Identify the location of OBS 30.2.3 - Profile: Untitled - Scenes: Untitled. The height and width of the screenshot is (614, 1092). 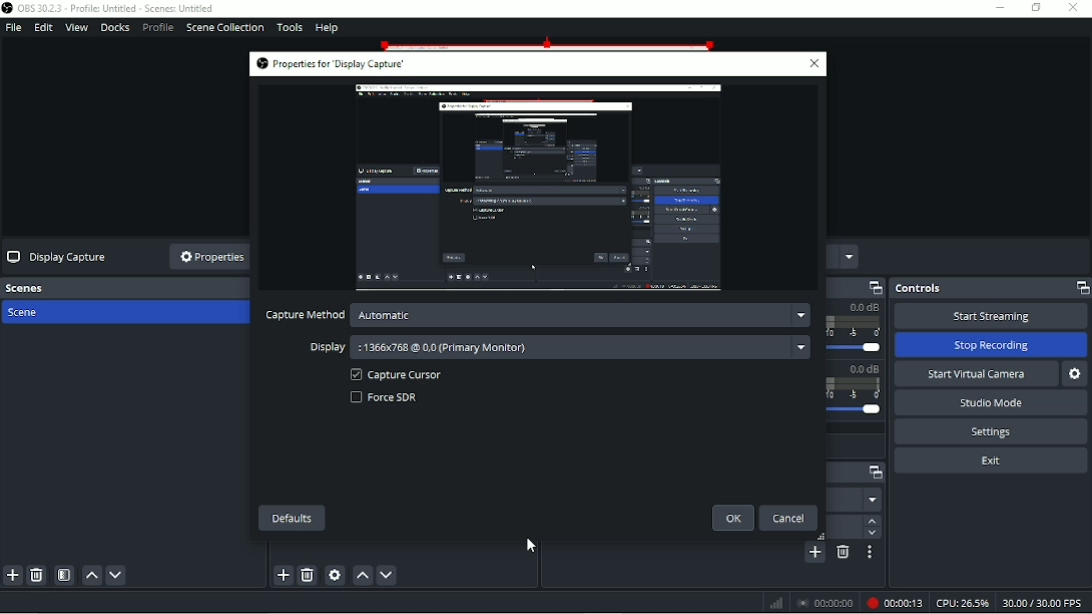
(120, 7).